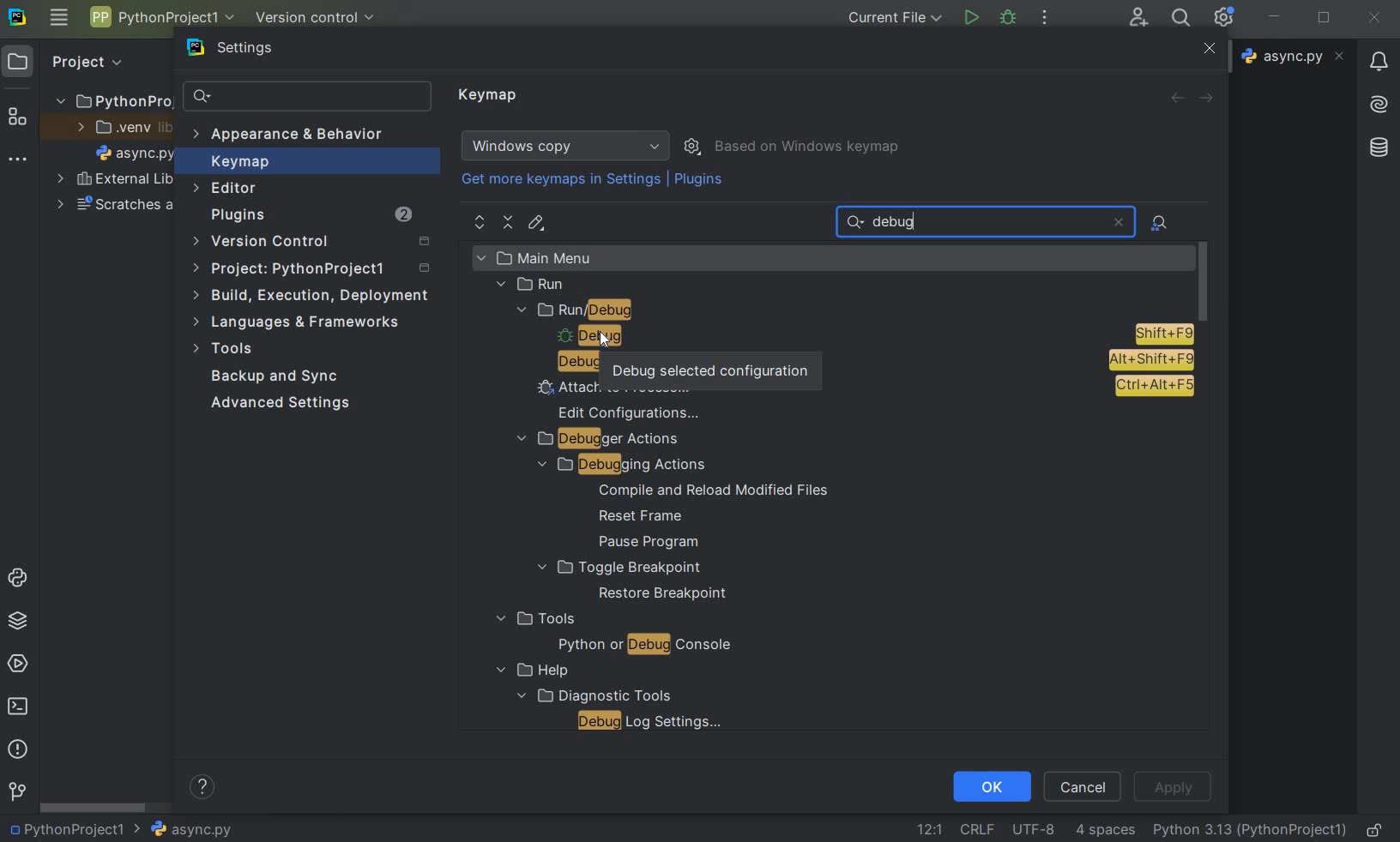  I want to click on debug, so click(568, 362).